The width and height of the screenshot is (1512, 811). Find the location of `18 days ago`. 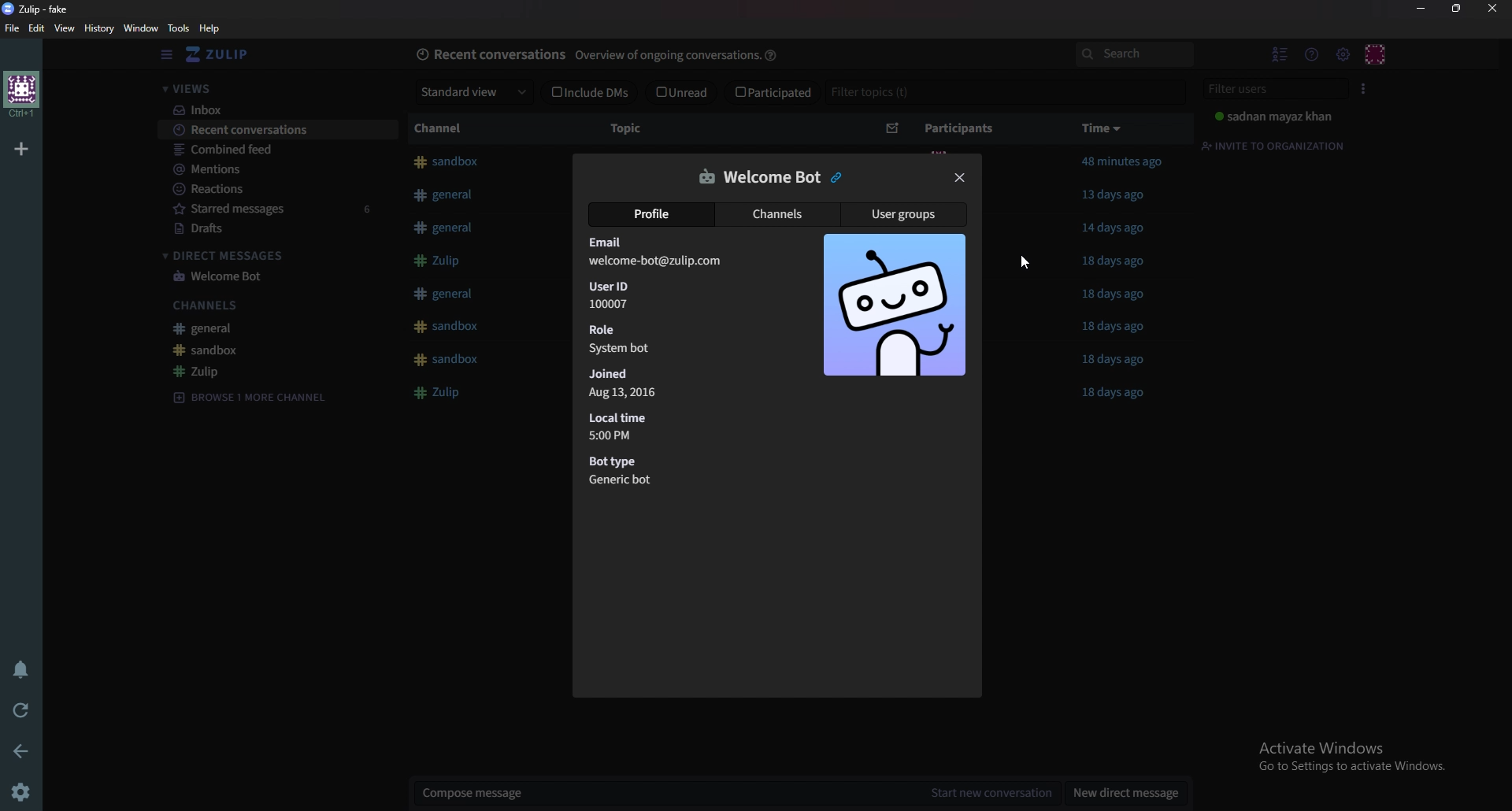

18 days ago is located at coordinates (1115, 261).